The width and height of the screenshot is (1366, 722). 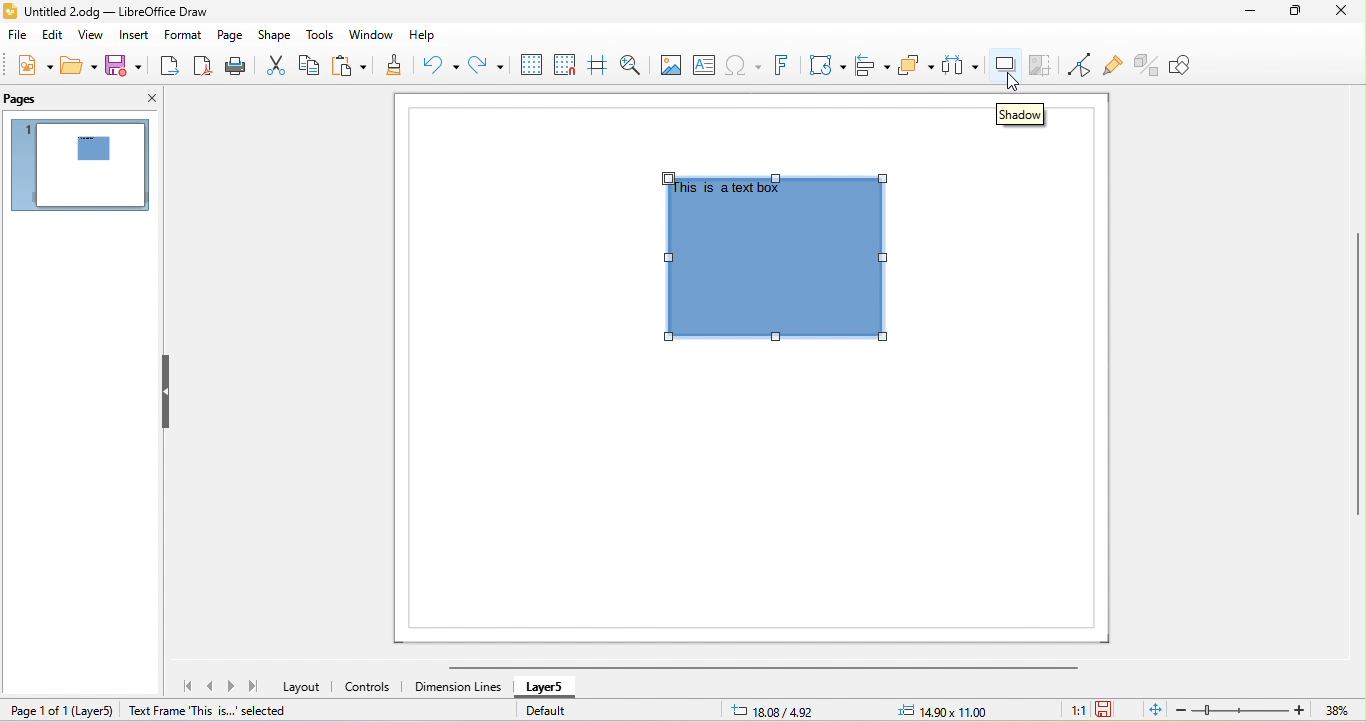 I want to click on maximize, so click(x=1296, y=12).